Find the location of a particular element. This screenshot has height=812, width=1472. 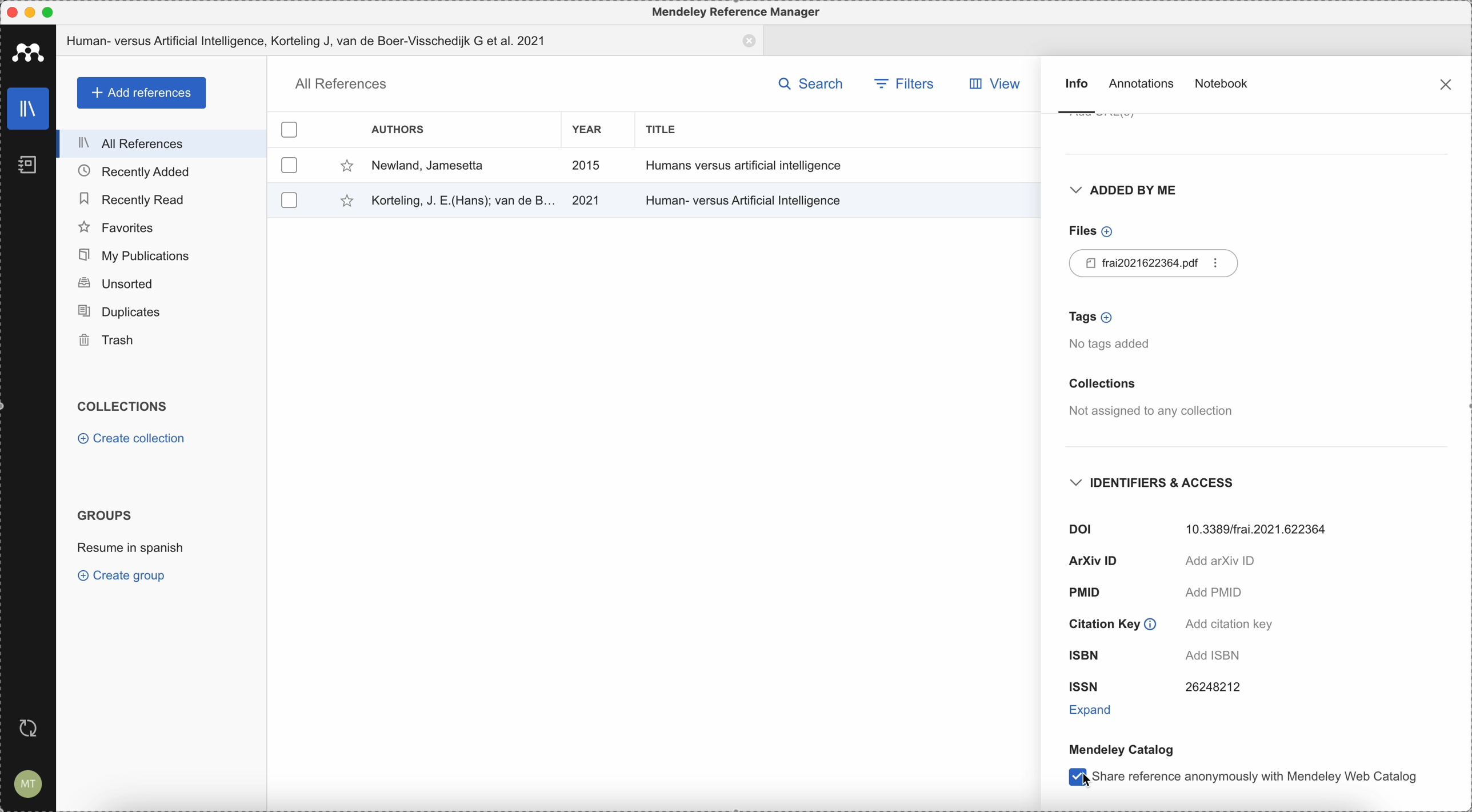

authors is located at coordinates (399, 129).